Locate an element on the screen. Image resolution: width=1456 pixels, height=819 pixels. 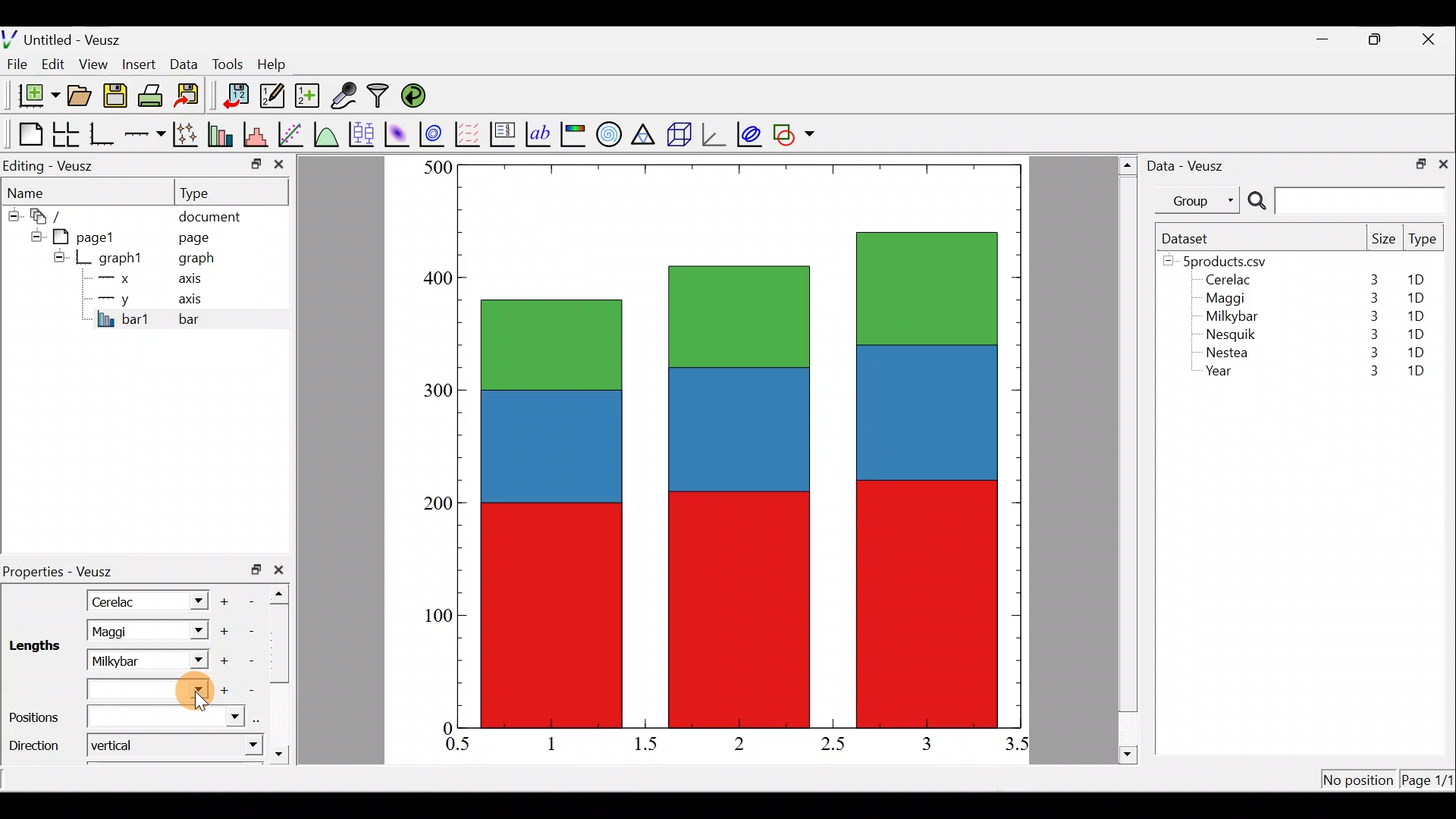
Tools is located at coordinates (227, 63).